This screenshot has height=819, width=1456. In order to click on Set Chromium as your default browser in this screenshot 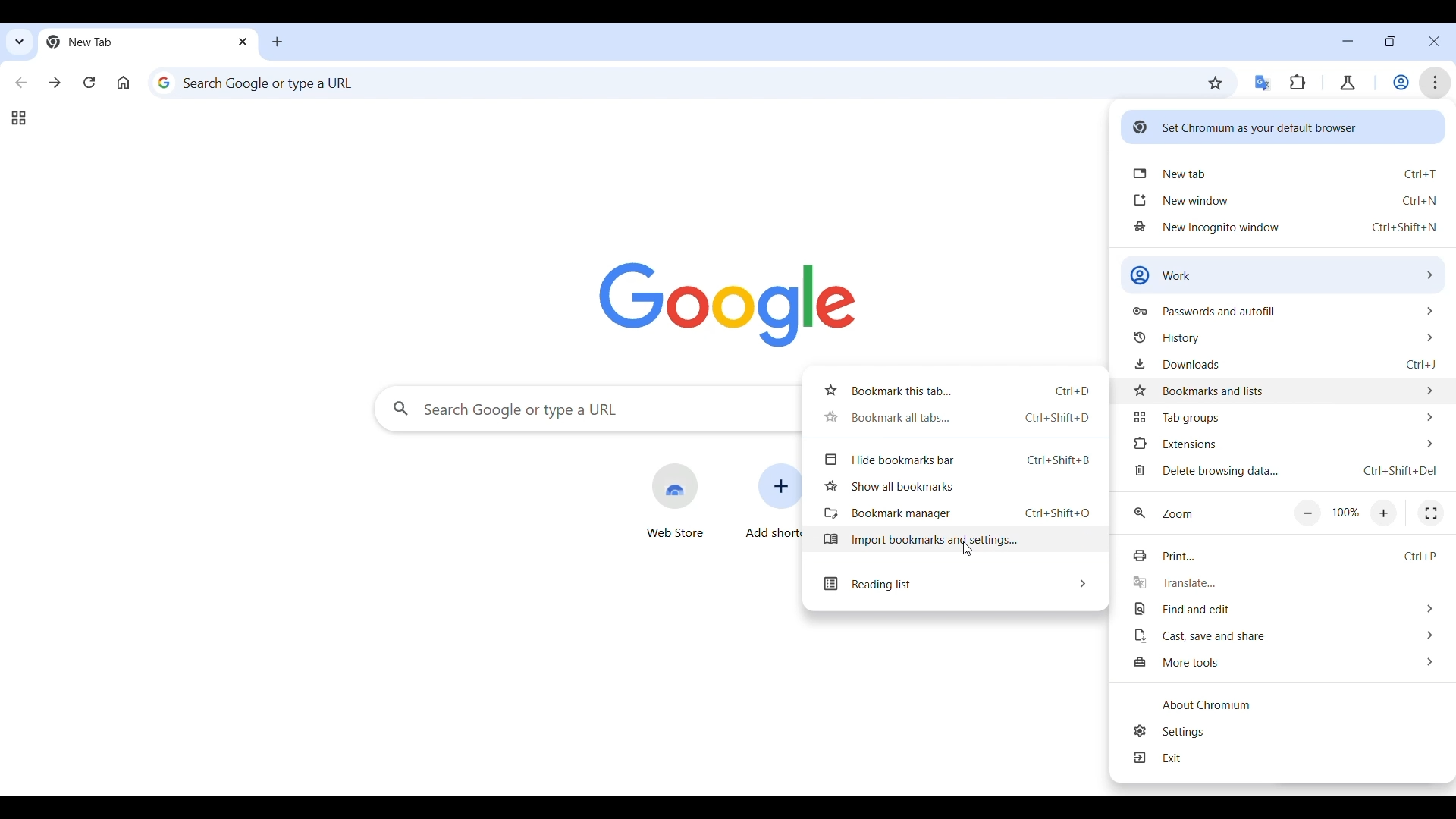, I will do `click(1283, 127)`.